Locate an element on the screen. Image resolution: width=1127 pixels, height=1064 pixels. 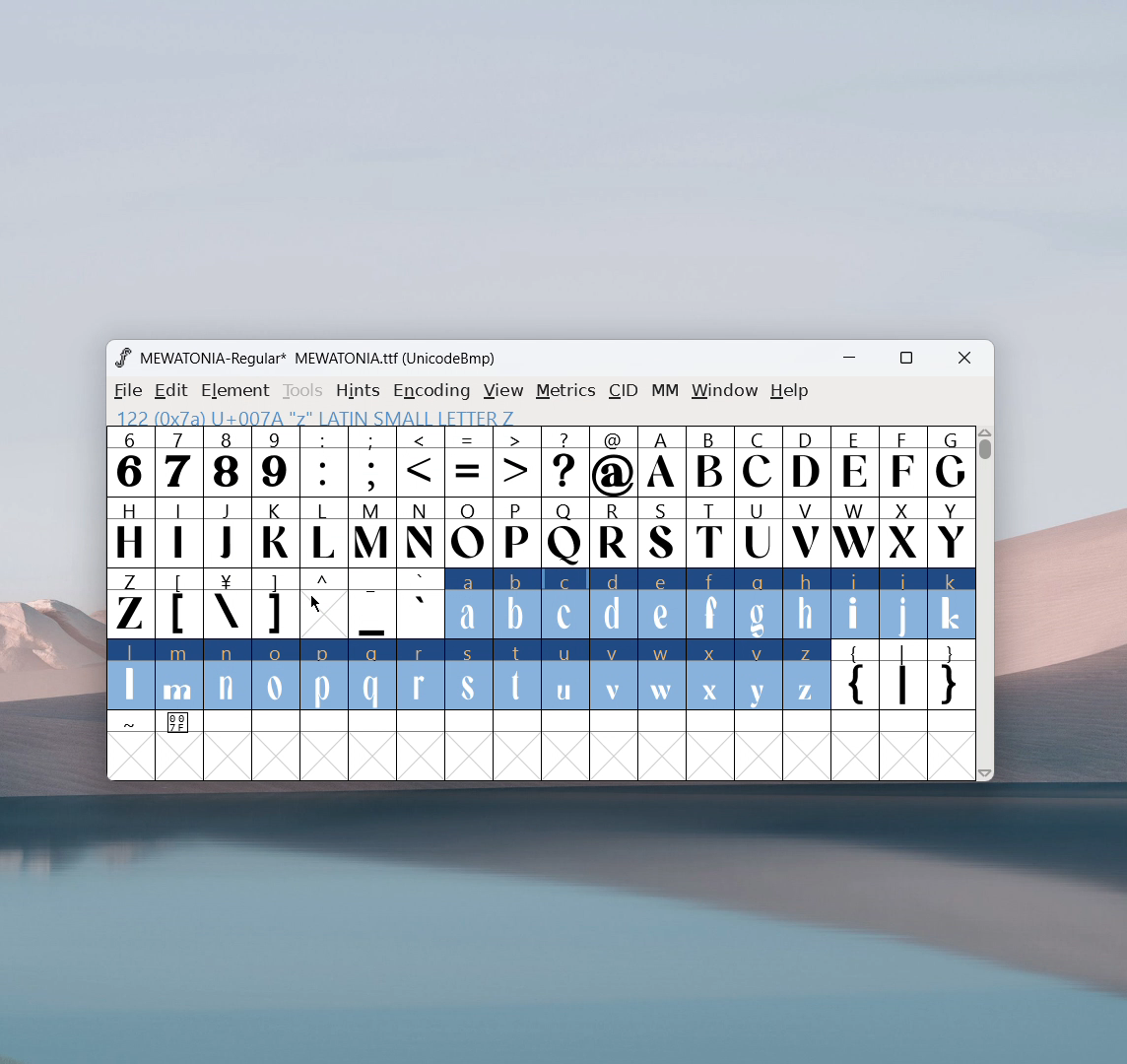
C is located at coordinates (757, 461).